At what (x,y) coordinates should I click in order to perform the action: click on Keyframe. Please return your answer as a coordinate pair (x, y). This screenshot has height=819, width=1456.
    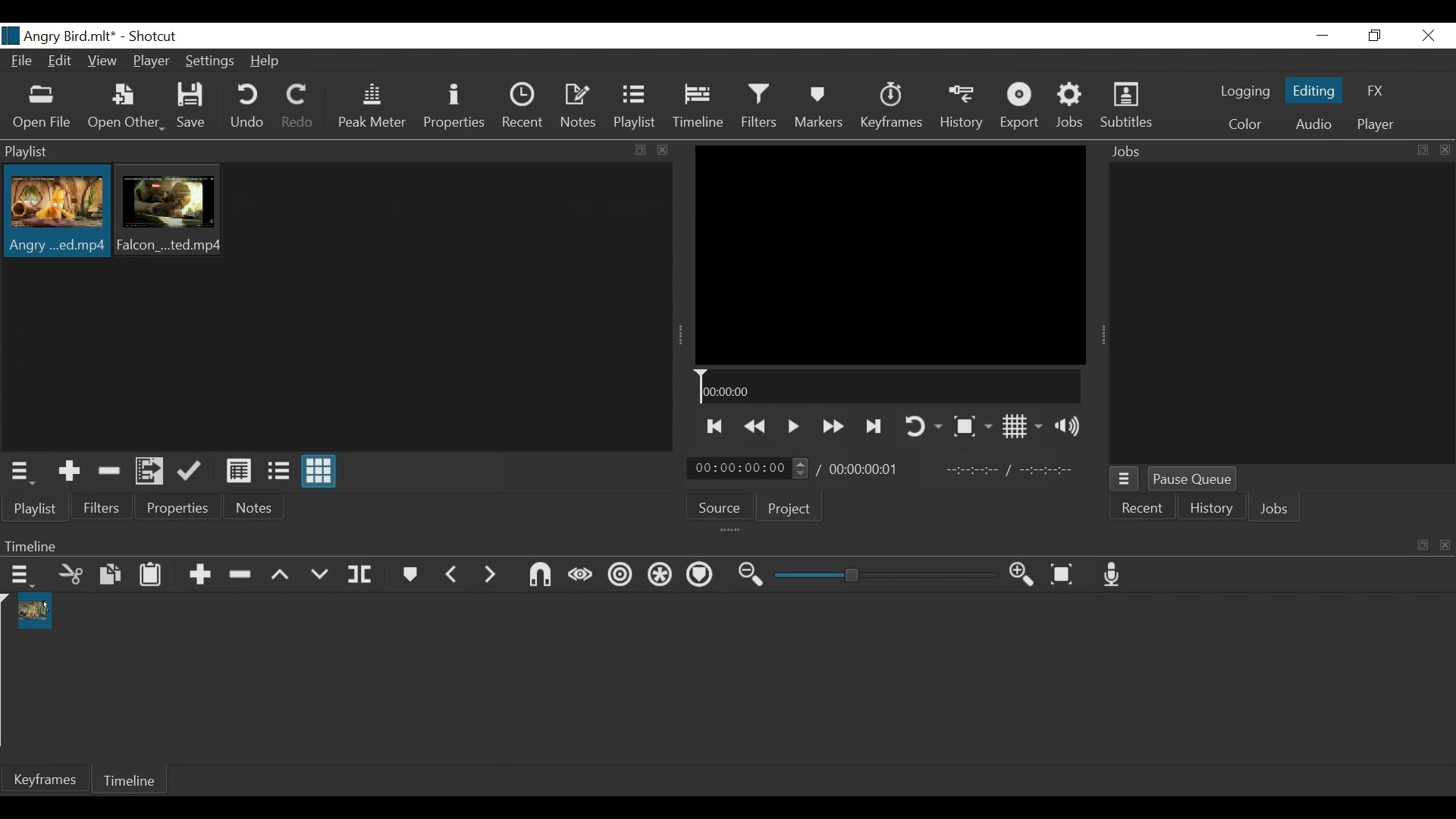
    Looking at the image, I should click on (44, 780).